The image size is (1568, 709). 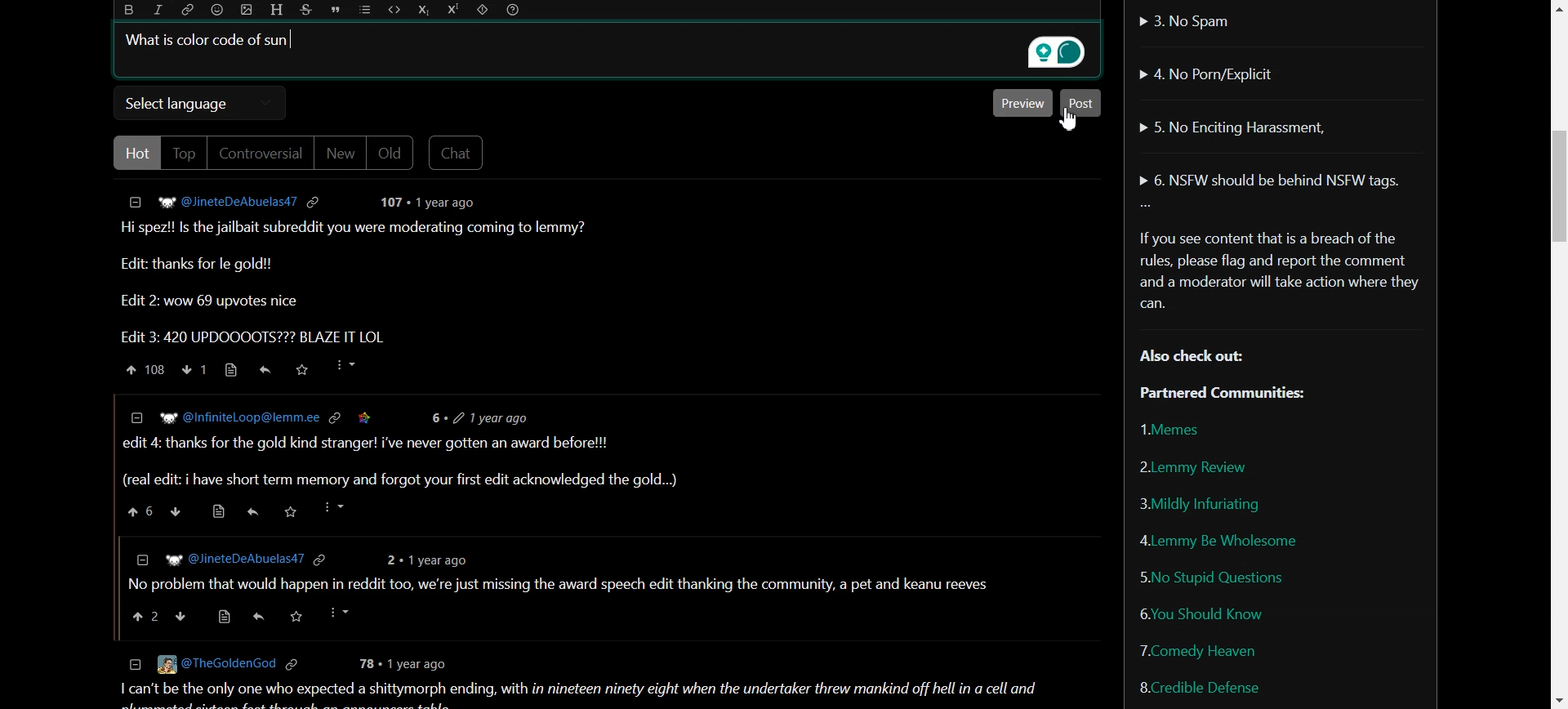 I want to click on Top, so click(x=184, y=154).